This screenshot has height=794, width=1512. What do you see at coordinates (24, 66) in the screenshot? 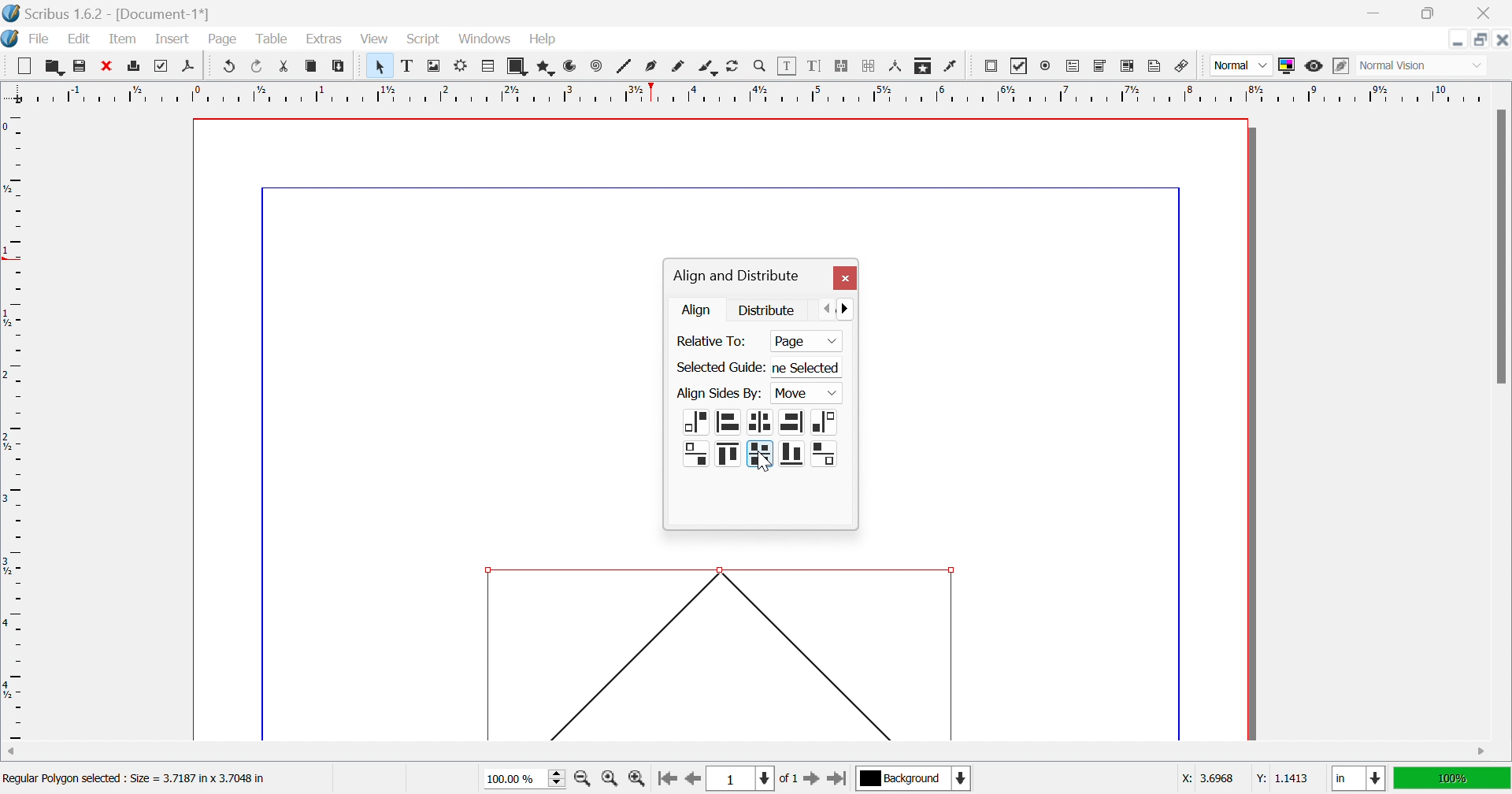
I see `New` at bounding box center [24, 66].